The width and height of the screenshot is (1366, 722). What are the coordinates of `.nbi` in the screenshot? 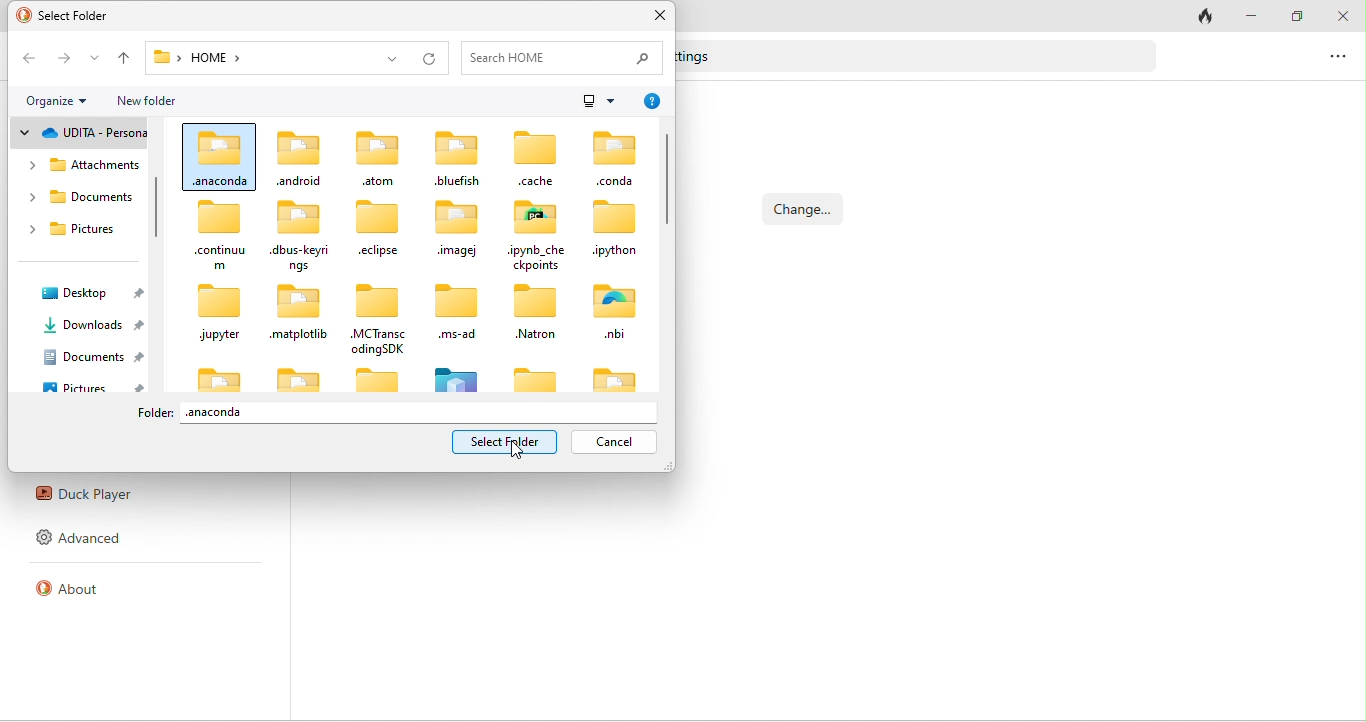 It's located at (615, 311).